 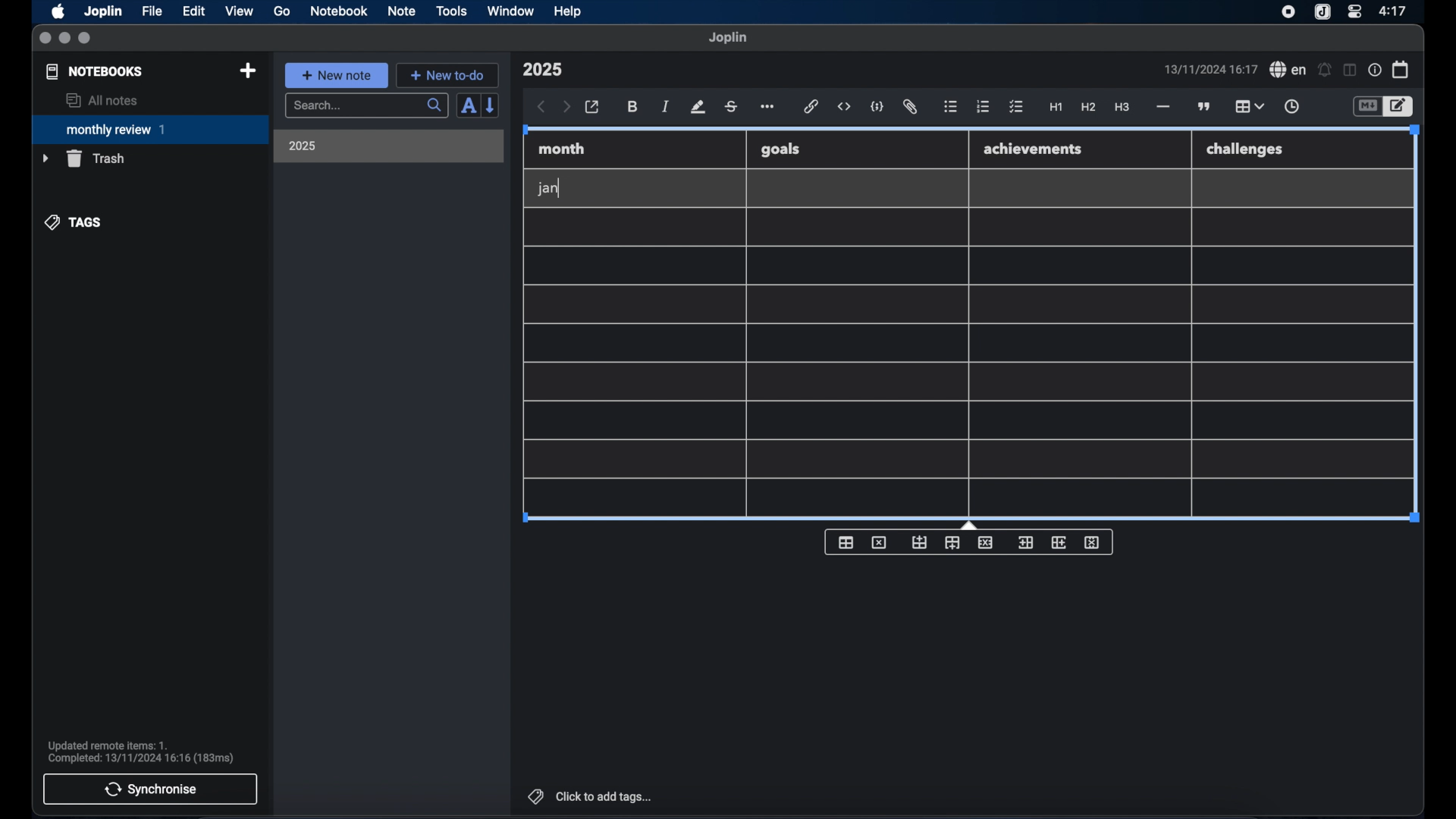 What do you see at coordinates (239, 11) in the screenshot?
I see `view` at bounding box center [239, 11].